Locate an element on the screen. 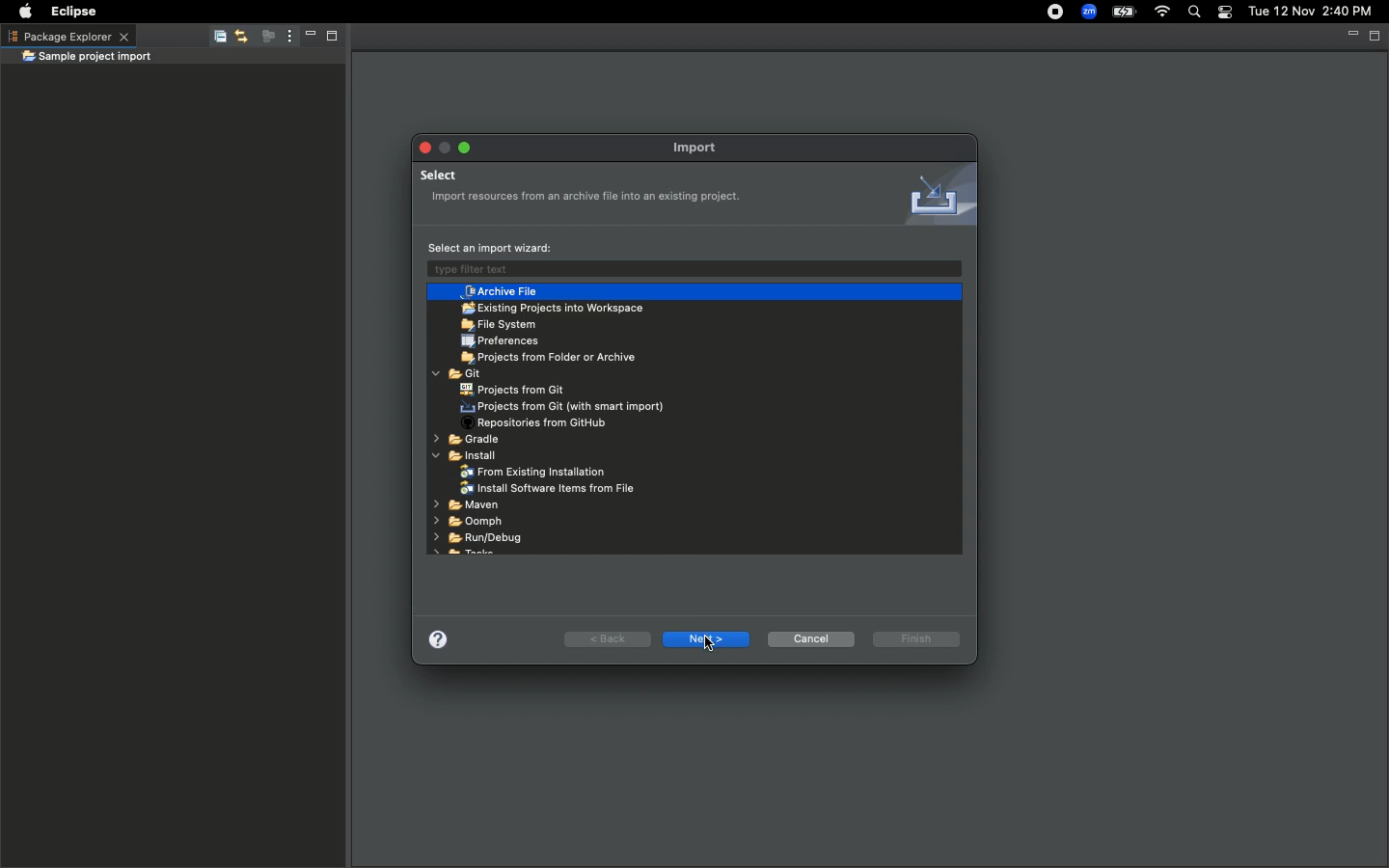 This screenshot has height=868, width=1389. Link with editor is located at coordinates (240, 38).